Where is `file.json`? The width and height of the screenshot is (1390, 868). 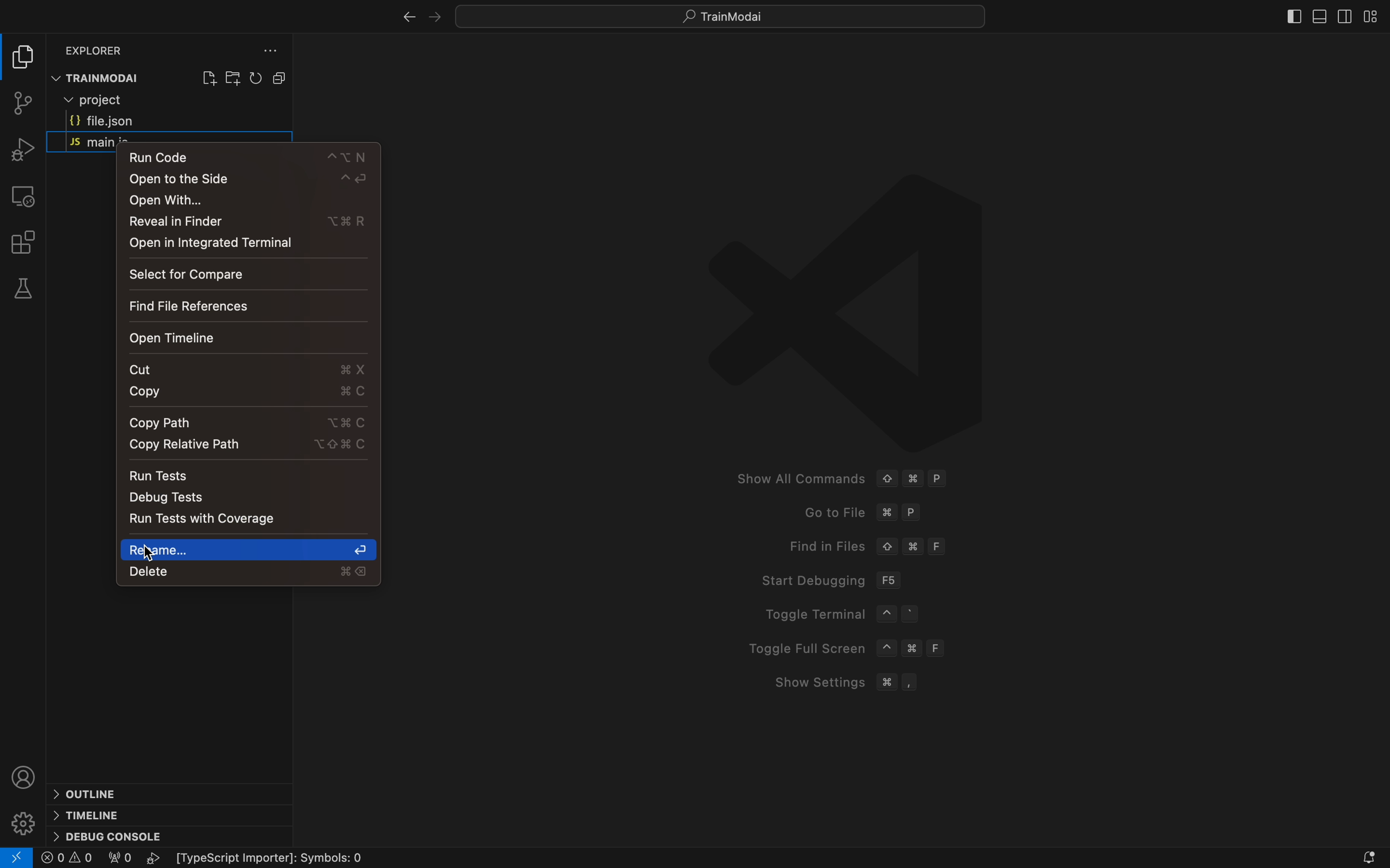
file.json is located at coordinates (167, 123).